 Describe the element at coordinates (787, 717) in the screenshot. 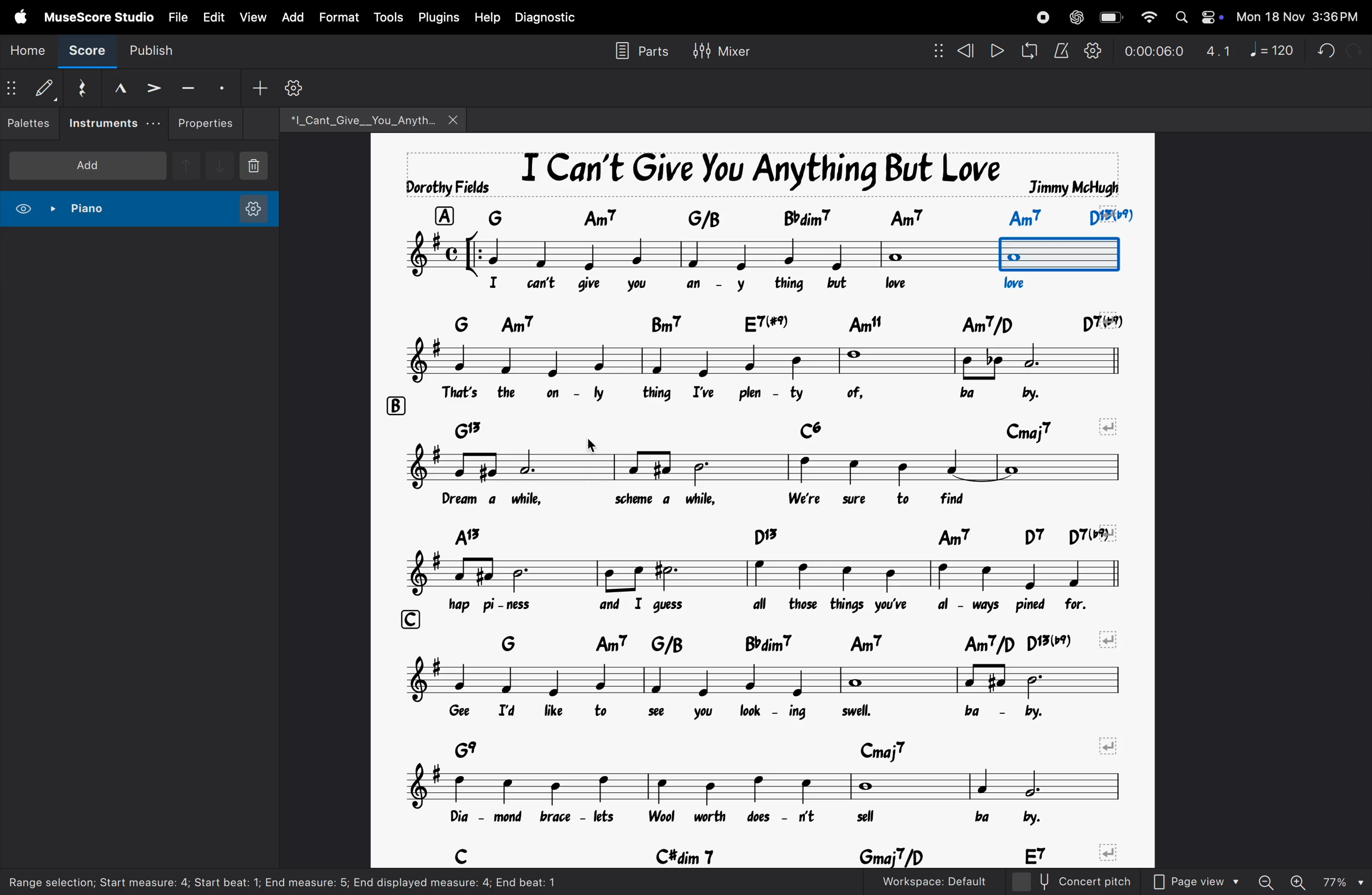

I see `lyrics` at that location.